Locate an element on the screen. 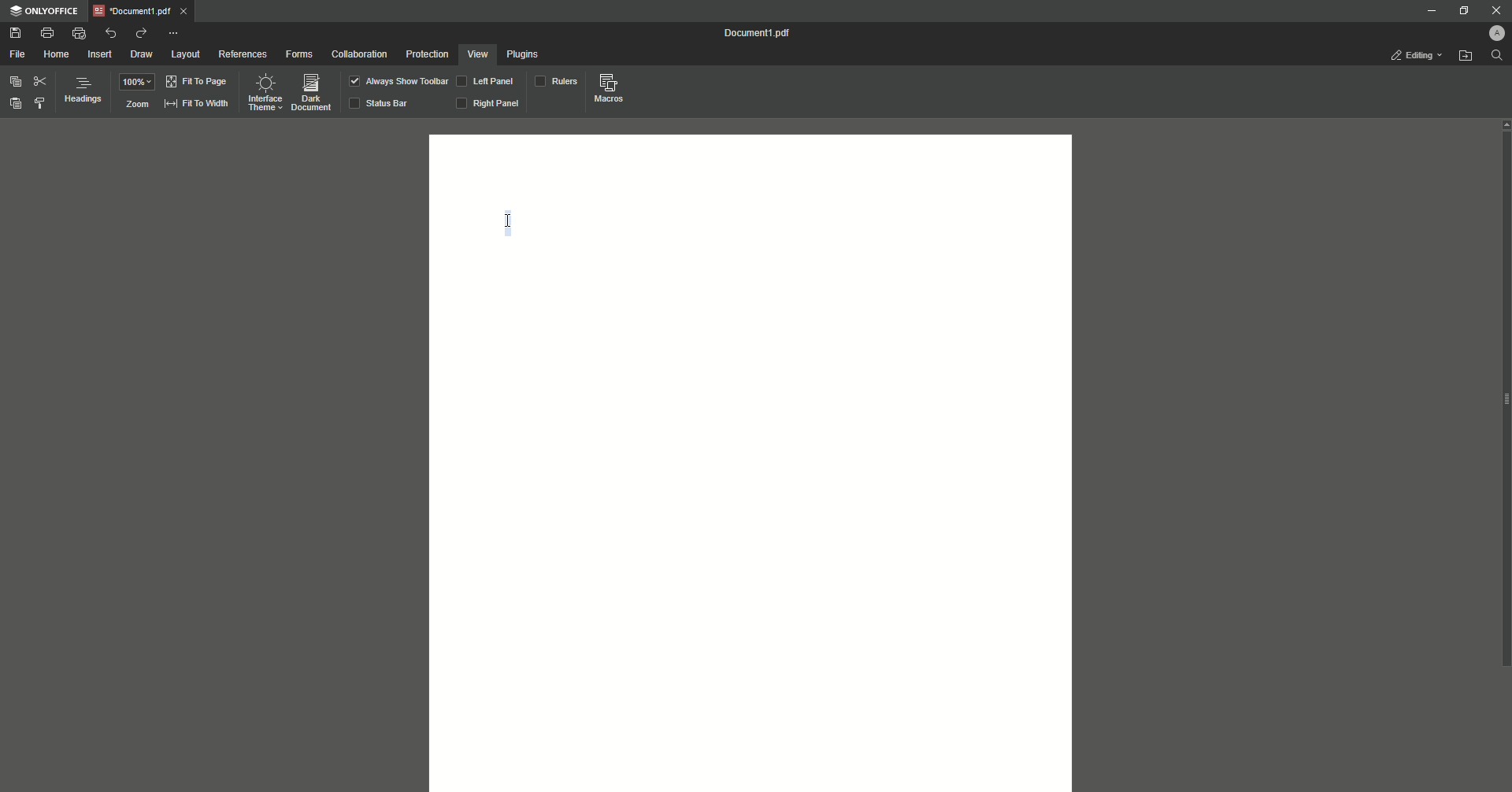 The width and height of the screenshot is (1512, 792). Copy is located at coordinates (13, 81).